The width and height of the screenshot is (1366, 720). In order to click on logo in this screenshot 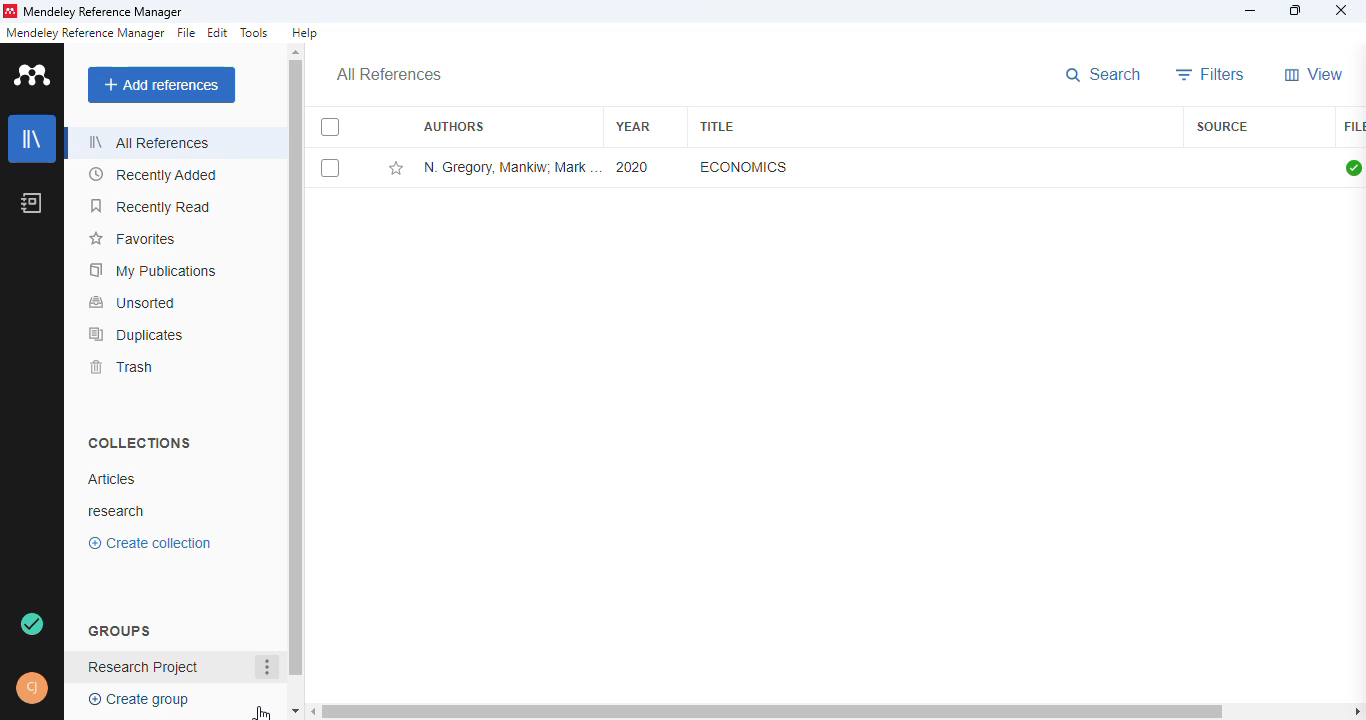, I will do `click(33, 75)`.